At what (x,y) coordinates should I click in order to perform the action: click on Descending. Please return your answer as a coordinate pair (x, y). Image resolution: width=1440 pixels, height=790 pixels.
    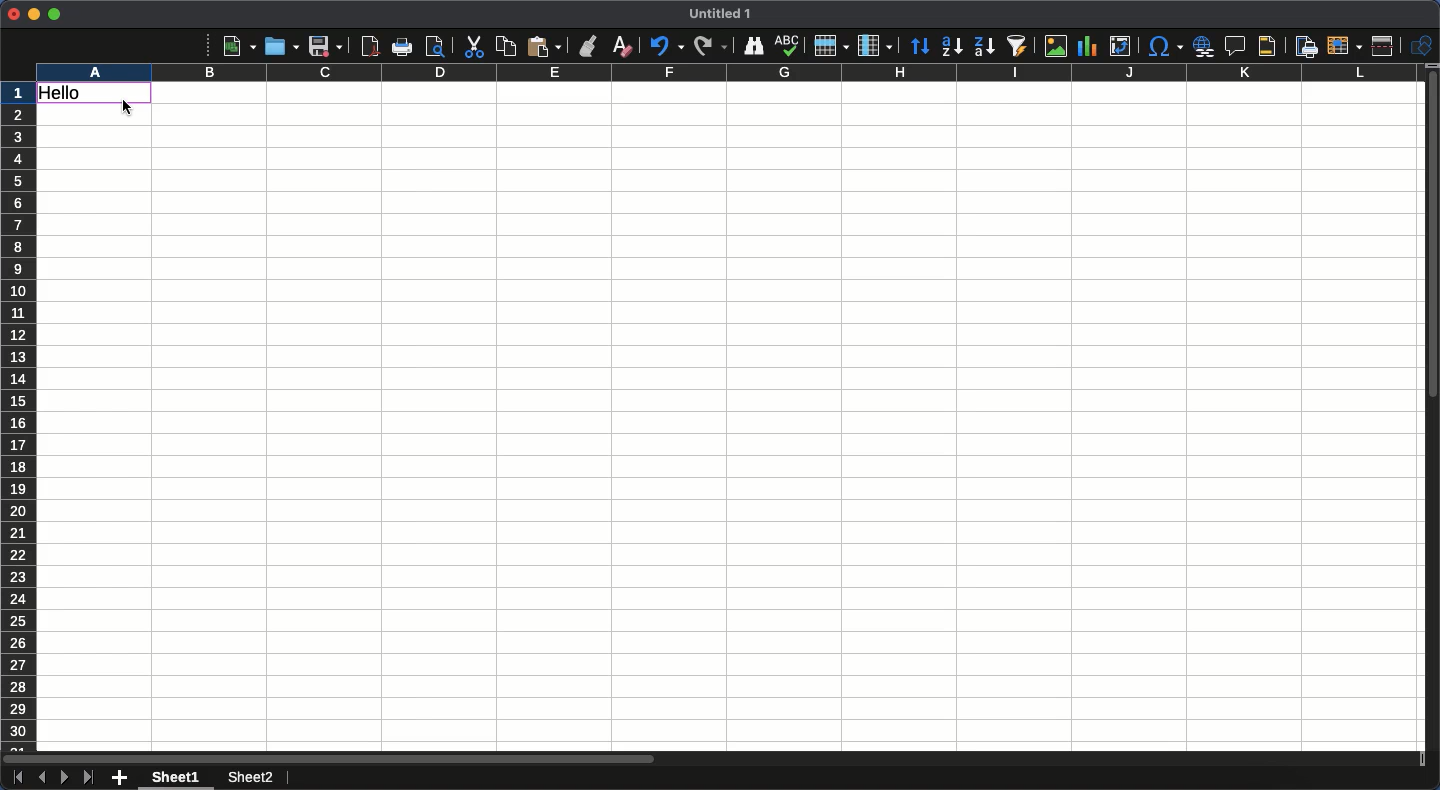
    Looking at the image, I should click on (983, 47).